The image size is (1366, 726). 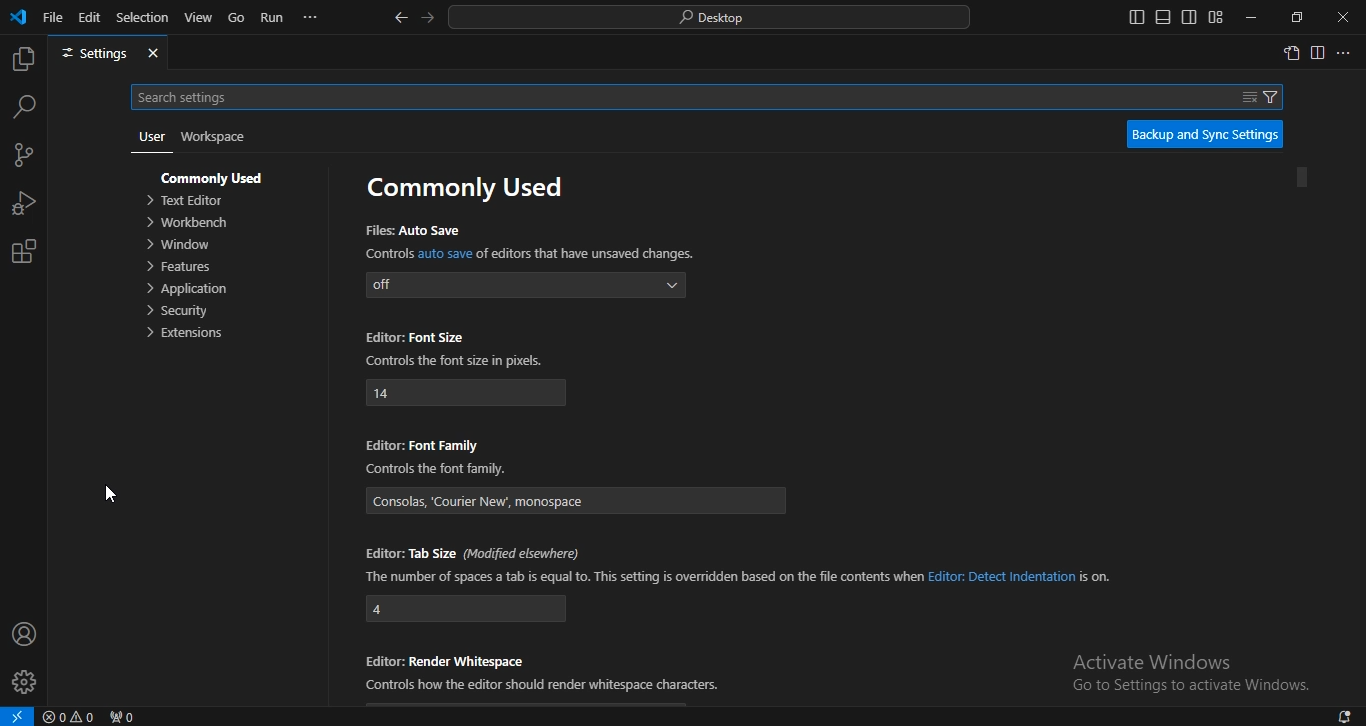 What do you see at coordinates (18, 715) in the screenshot?
I see `open a remote window` at bounding box center [18, 715].